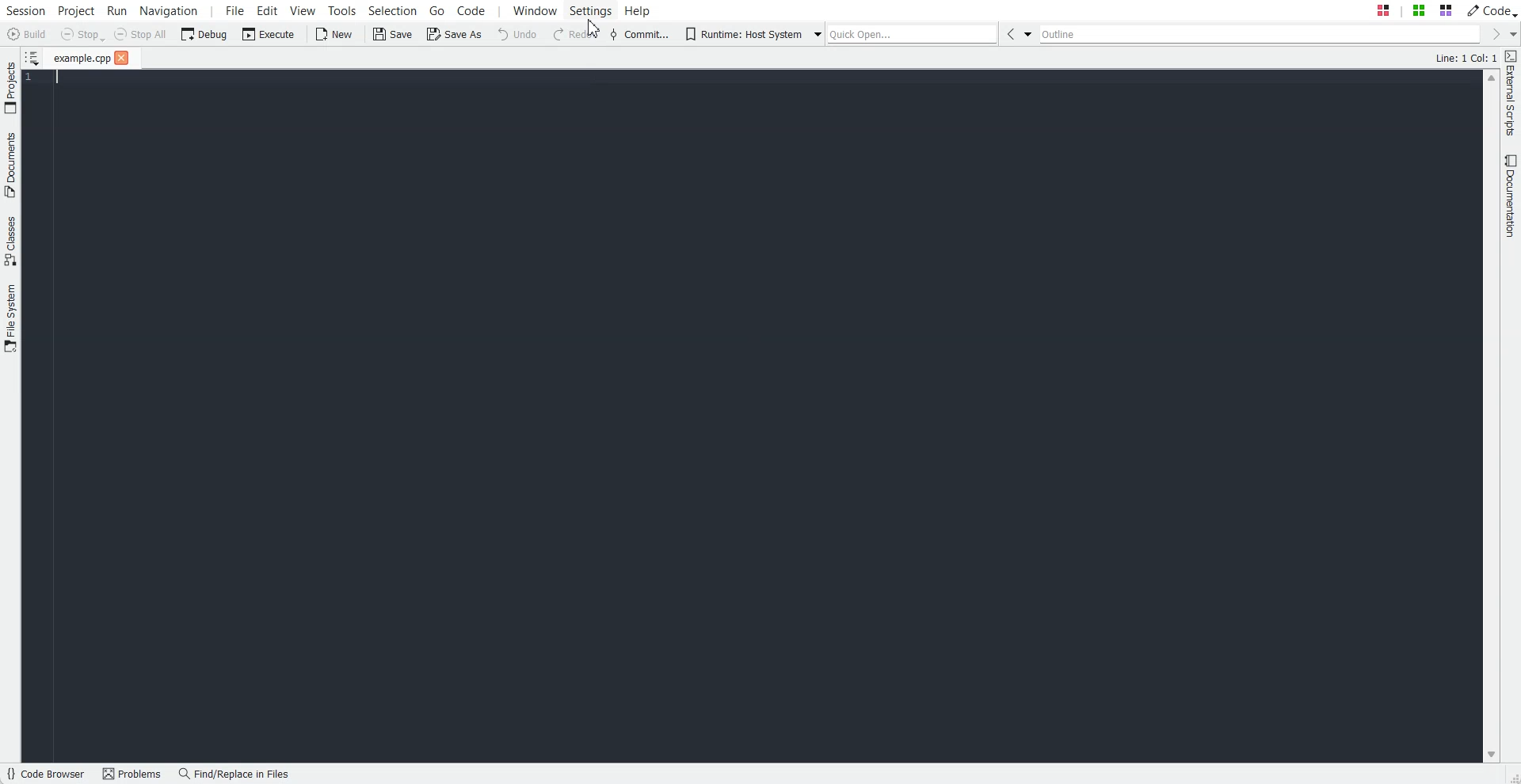  I want to click on External Scripts, so click(1511, 93).